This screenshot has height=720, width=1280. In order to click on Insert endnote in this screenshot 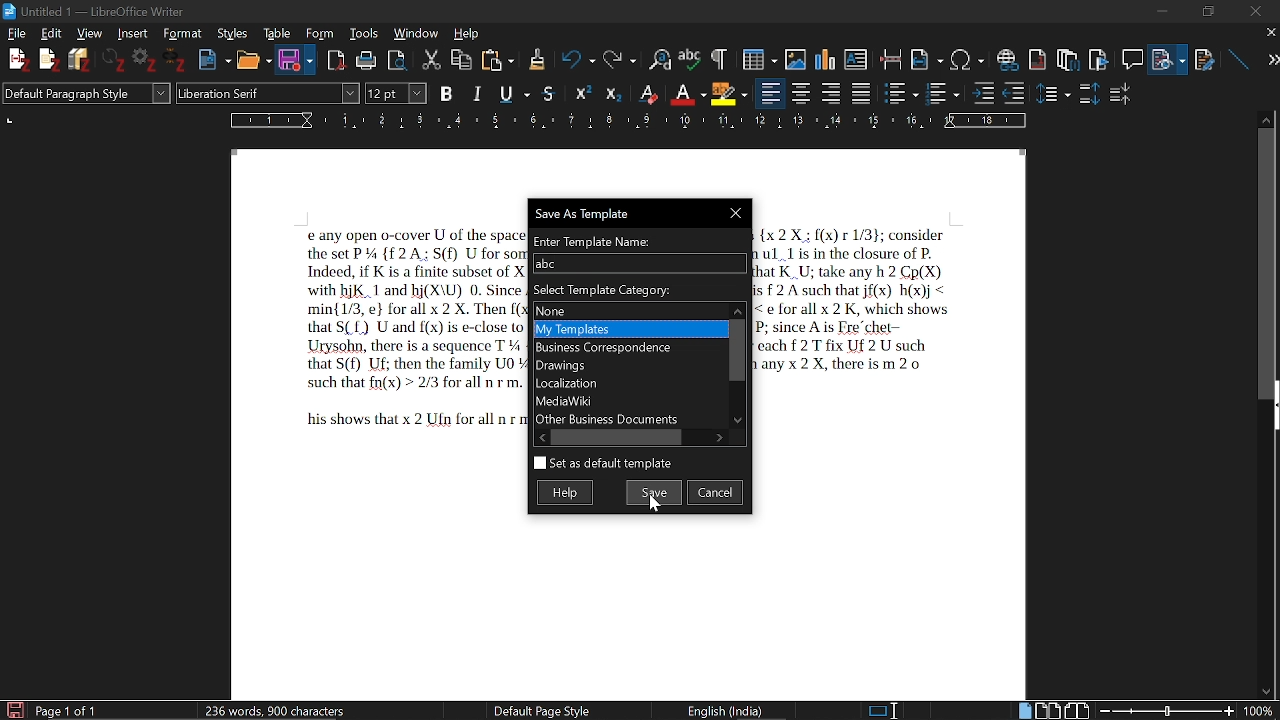, I will do `click(1039, 55)`.